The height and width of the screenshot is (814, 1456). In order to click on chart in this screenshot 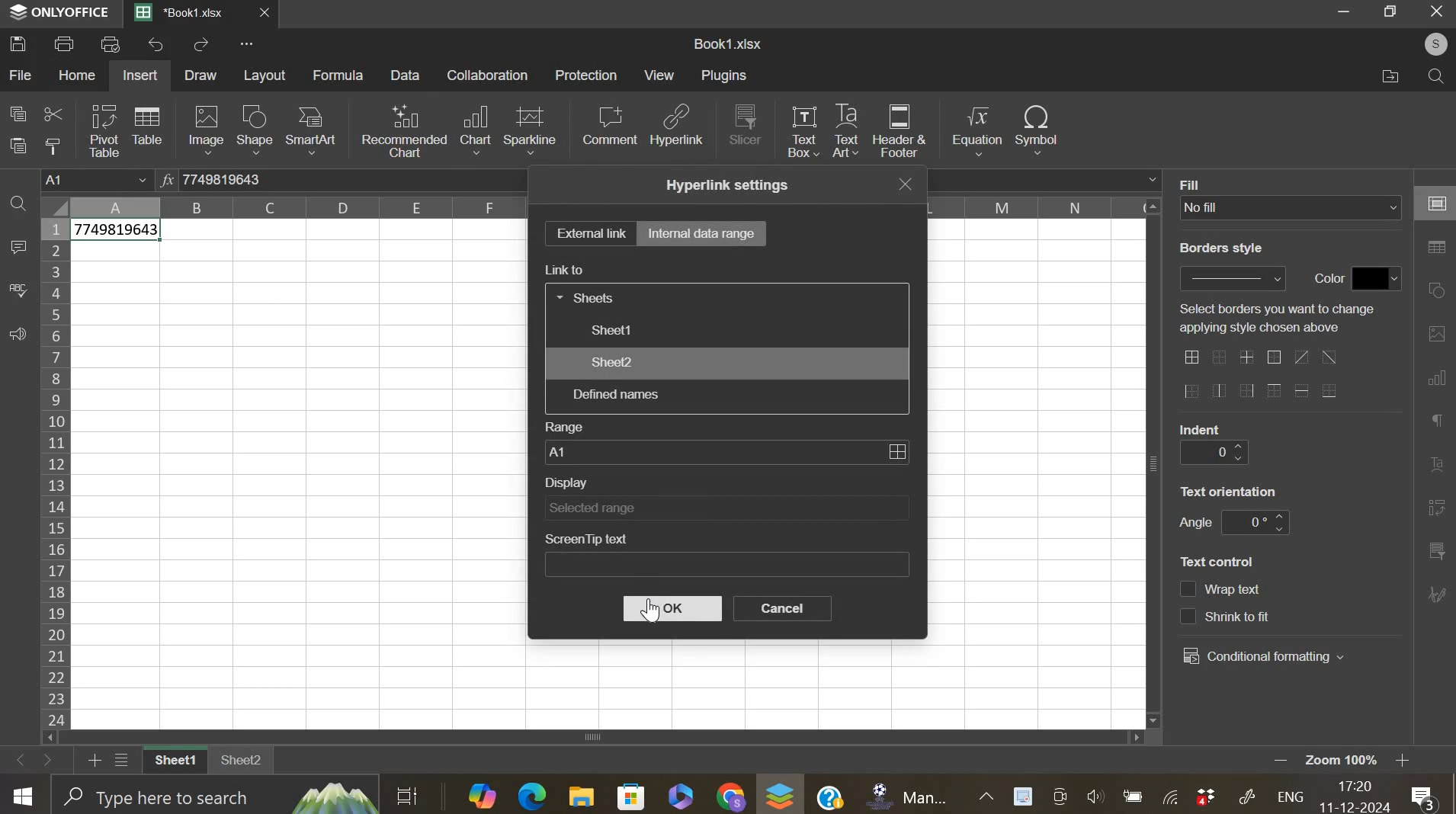, I will do `click(475, 130)`.